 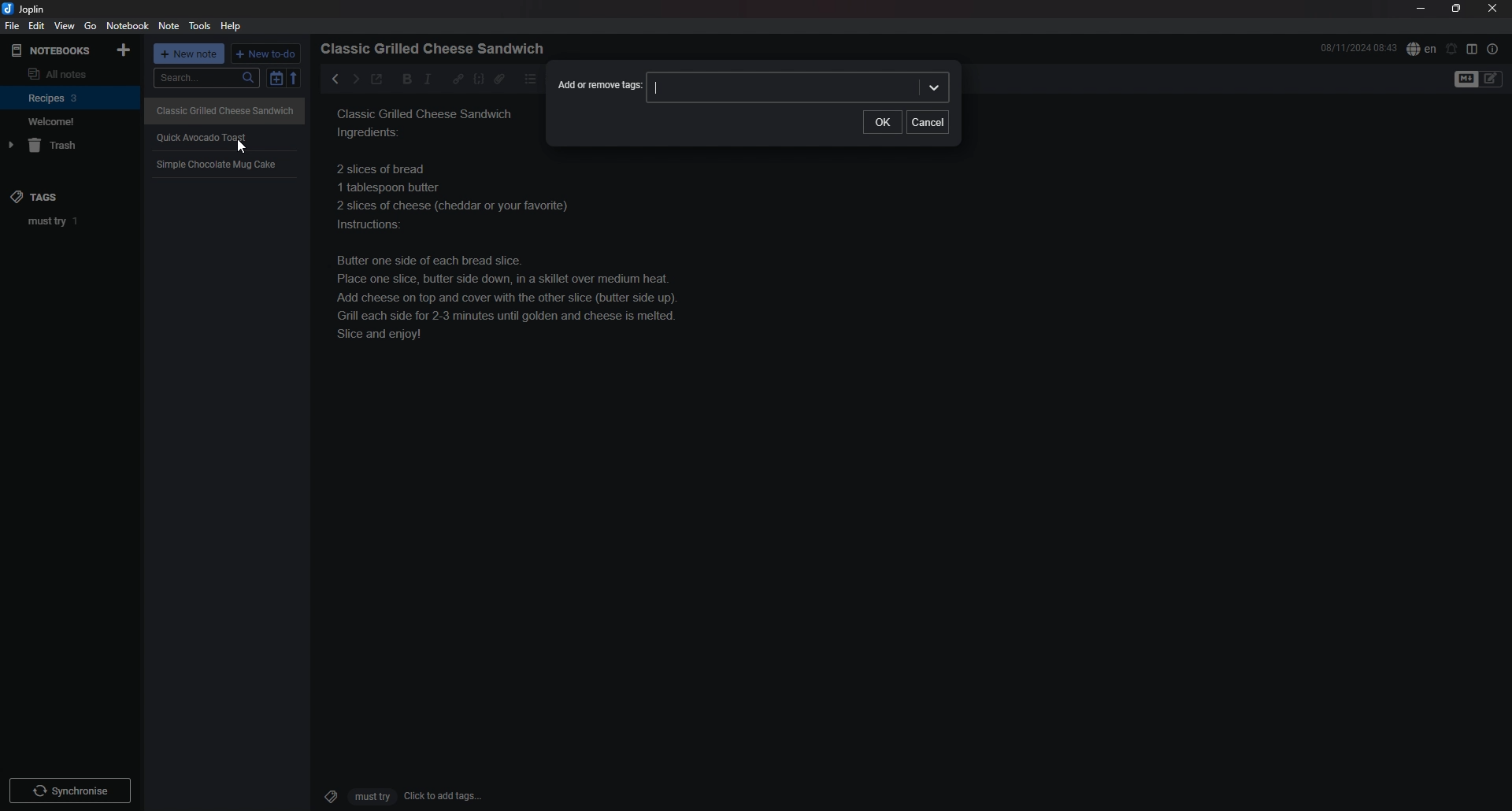 What do you see at coordinates (125, 49) in the screenshot?
I see `add notebook` at bounding box center [125, 49].